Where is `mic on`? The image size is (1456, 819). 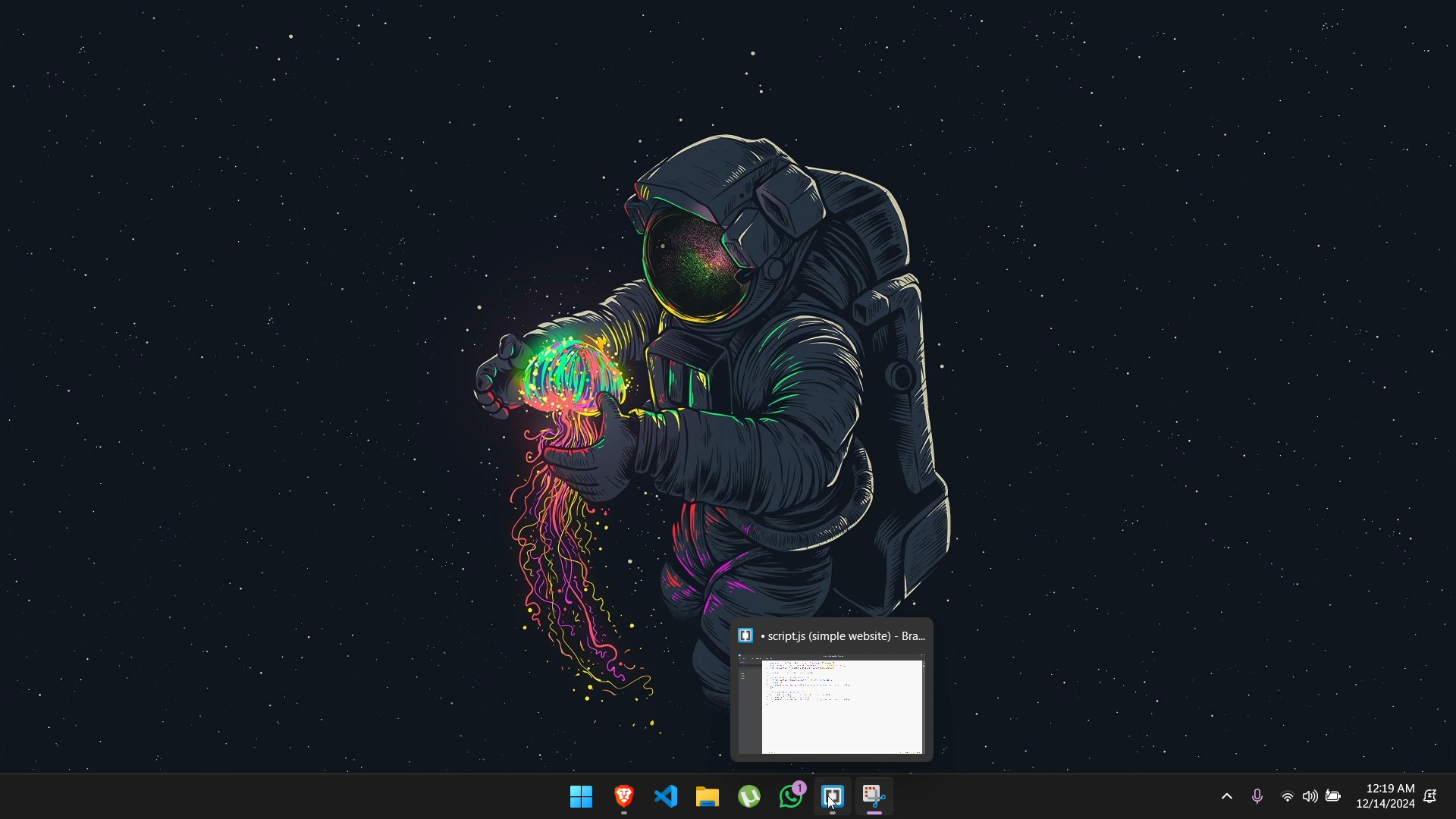
mic on is located at coordinates (1257, 795).